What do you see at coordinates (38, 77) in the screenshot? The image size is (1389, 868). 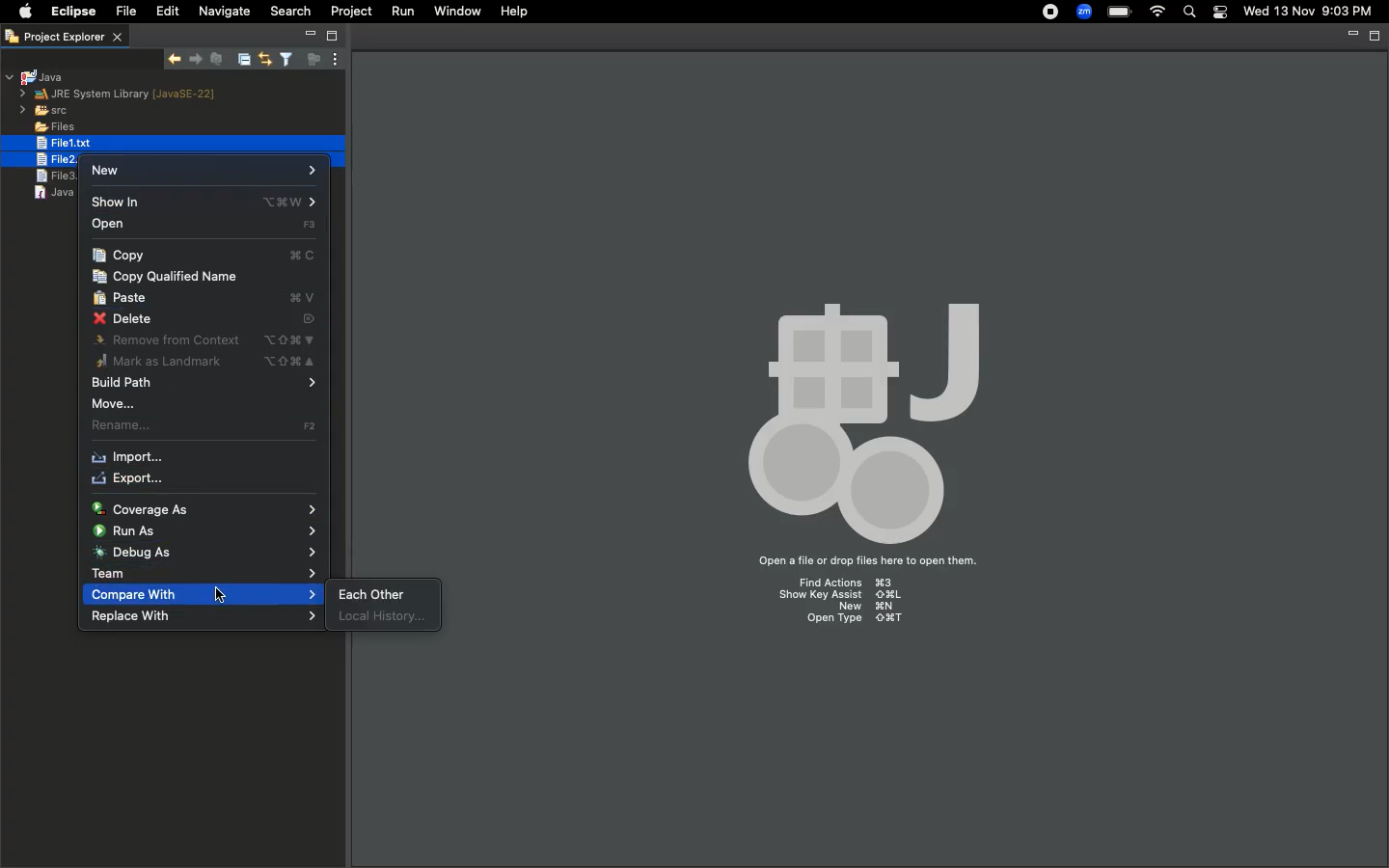 I see `Java` at bounding box center [38, 77].